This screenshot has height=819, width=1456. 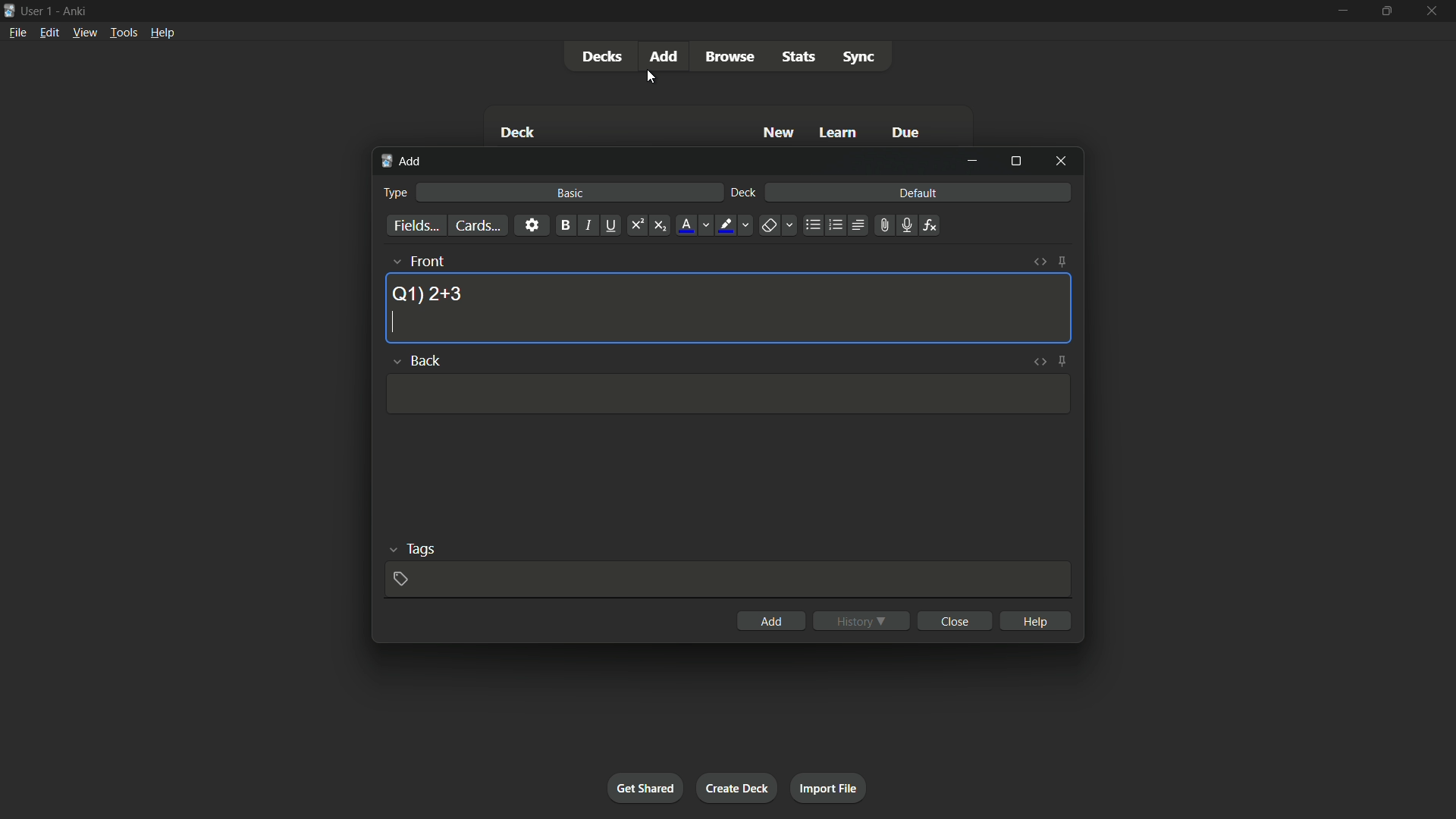 I want to click on new, so click(x=780, y=132).